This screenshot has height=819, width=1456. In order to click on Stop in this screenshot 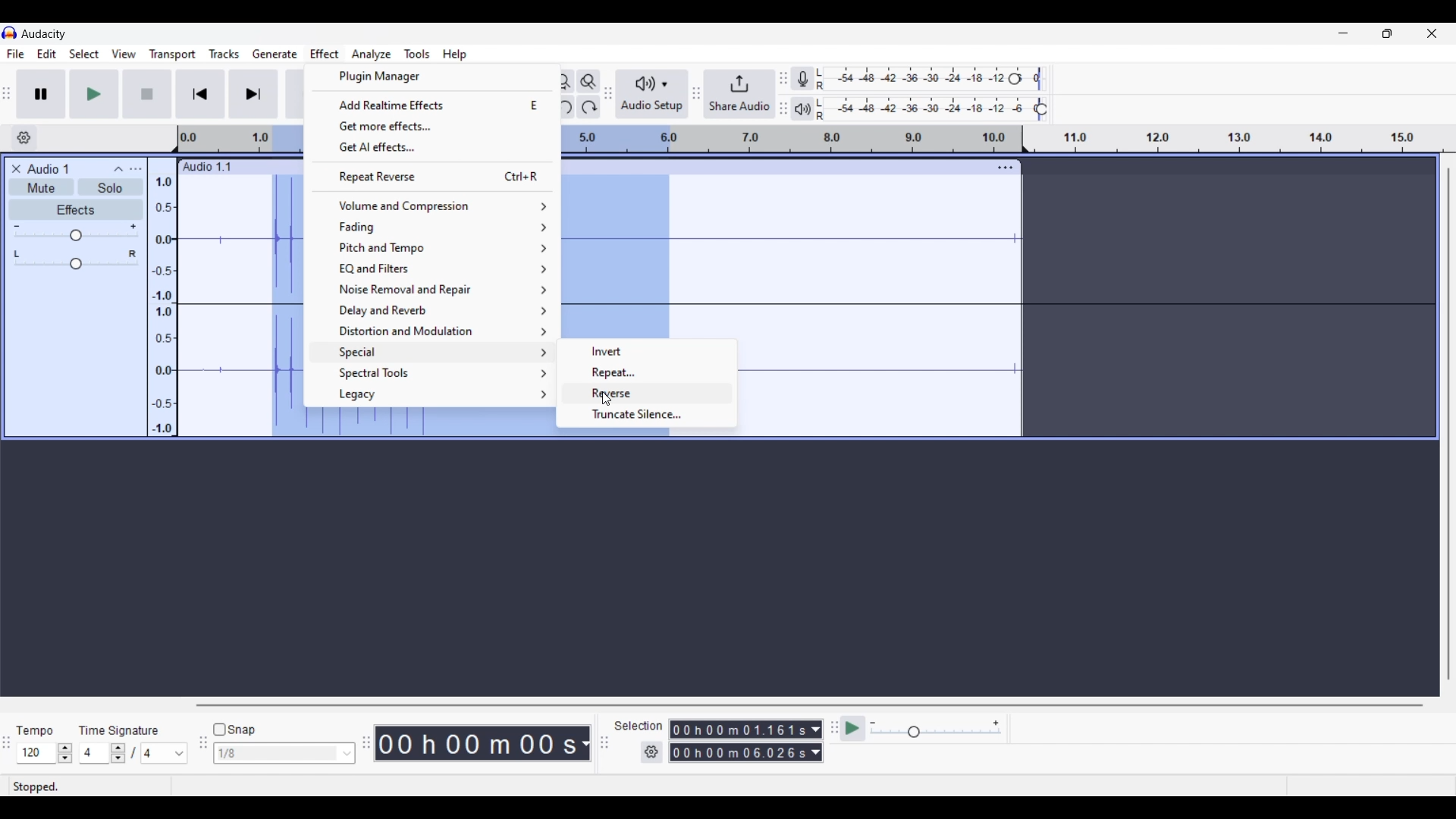, I will do `click(148, 94)`.